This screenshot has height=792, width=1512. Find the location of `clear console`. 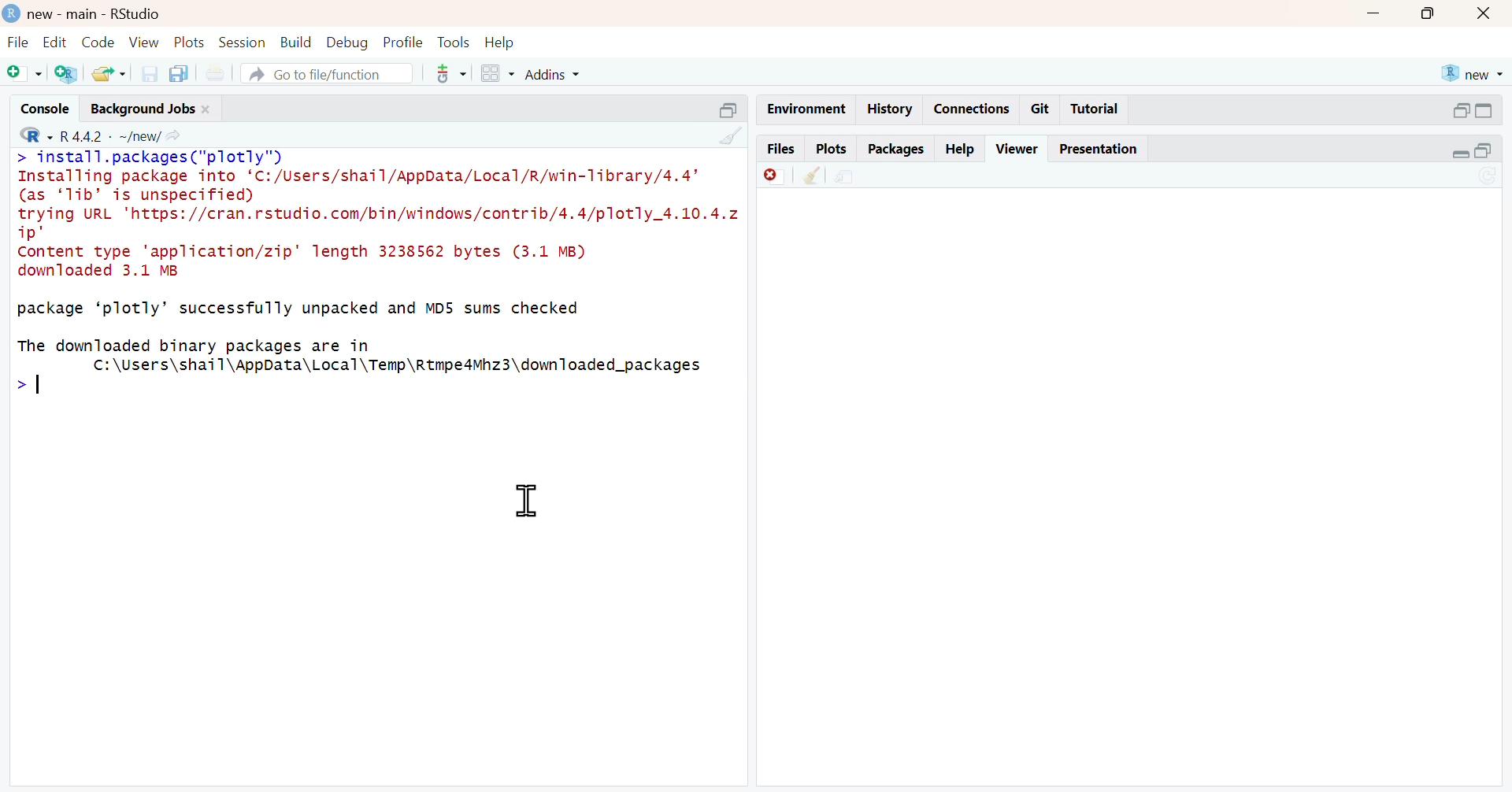

clear console is located at coordinates (730, 135).